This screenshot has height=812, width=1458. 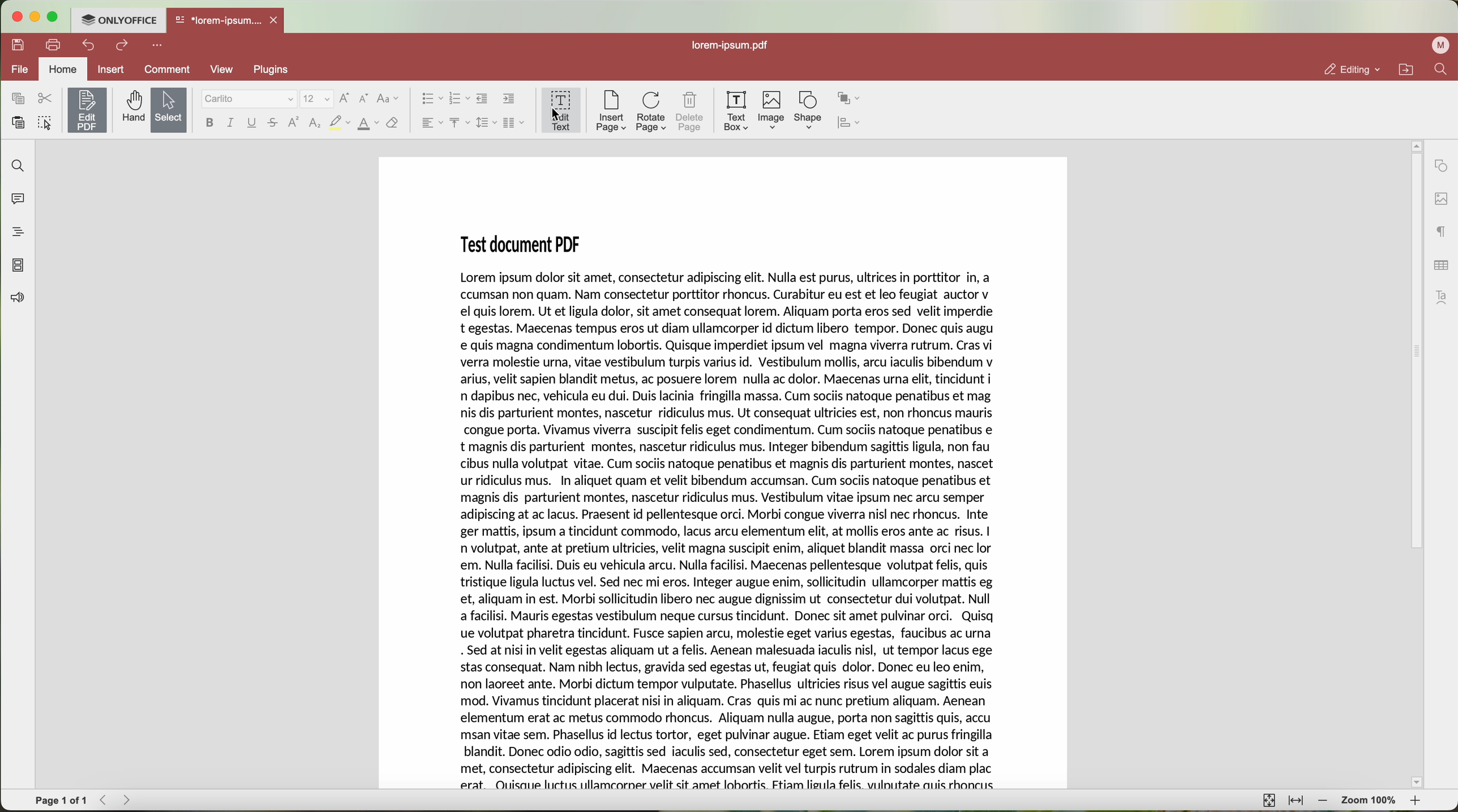 What do you see at coordinates (18, 45) in the screenshot?
I see `save` at bounding box center [18, 45].